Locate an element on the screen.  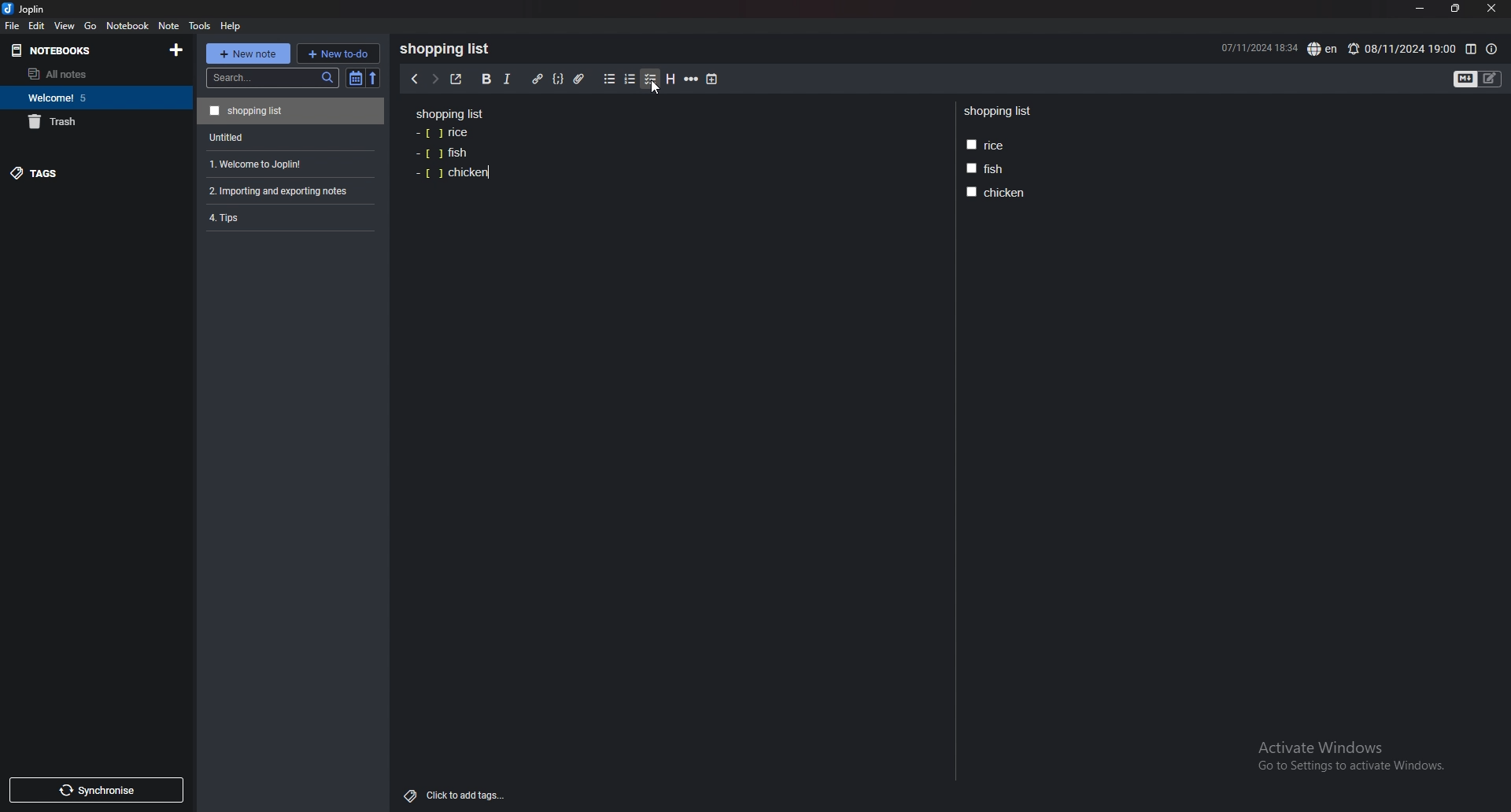
edit is located at coordinates (37, 25).